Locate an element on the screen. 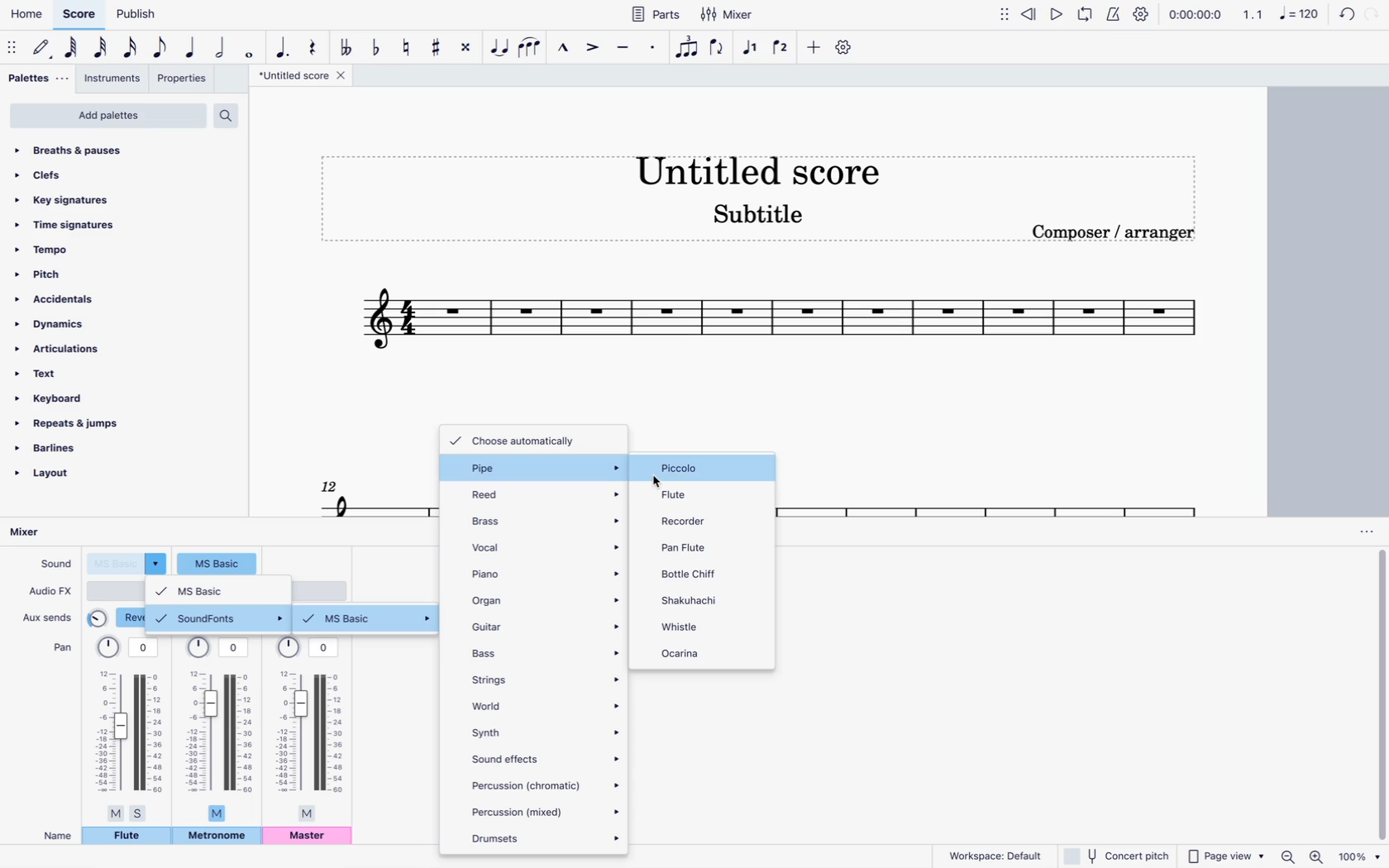 The height and width of the screenshot is (868, 1389). instruments is located at coordinates (113, 80).